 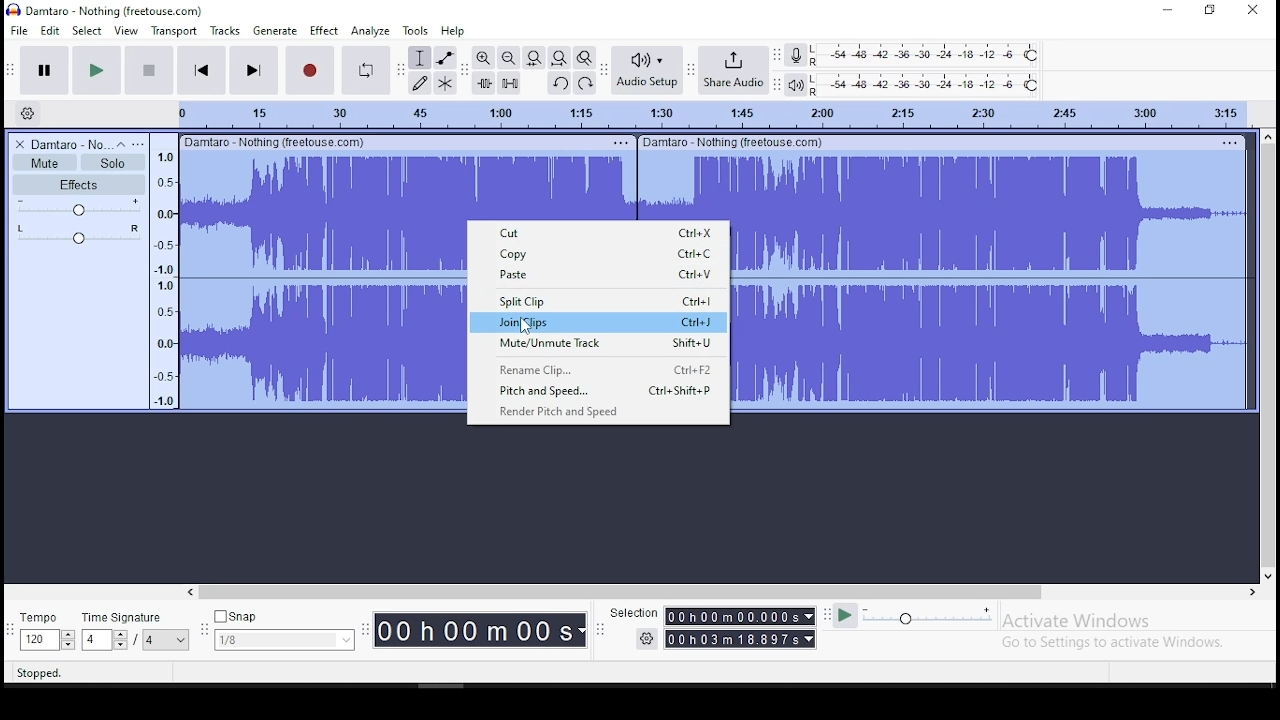 I want to click on audio setup, so click(x=646, y=71).